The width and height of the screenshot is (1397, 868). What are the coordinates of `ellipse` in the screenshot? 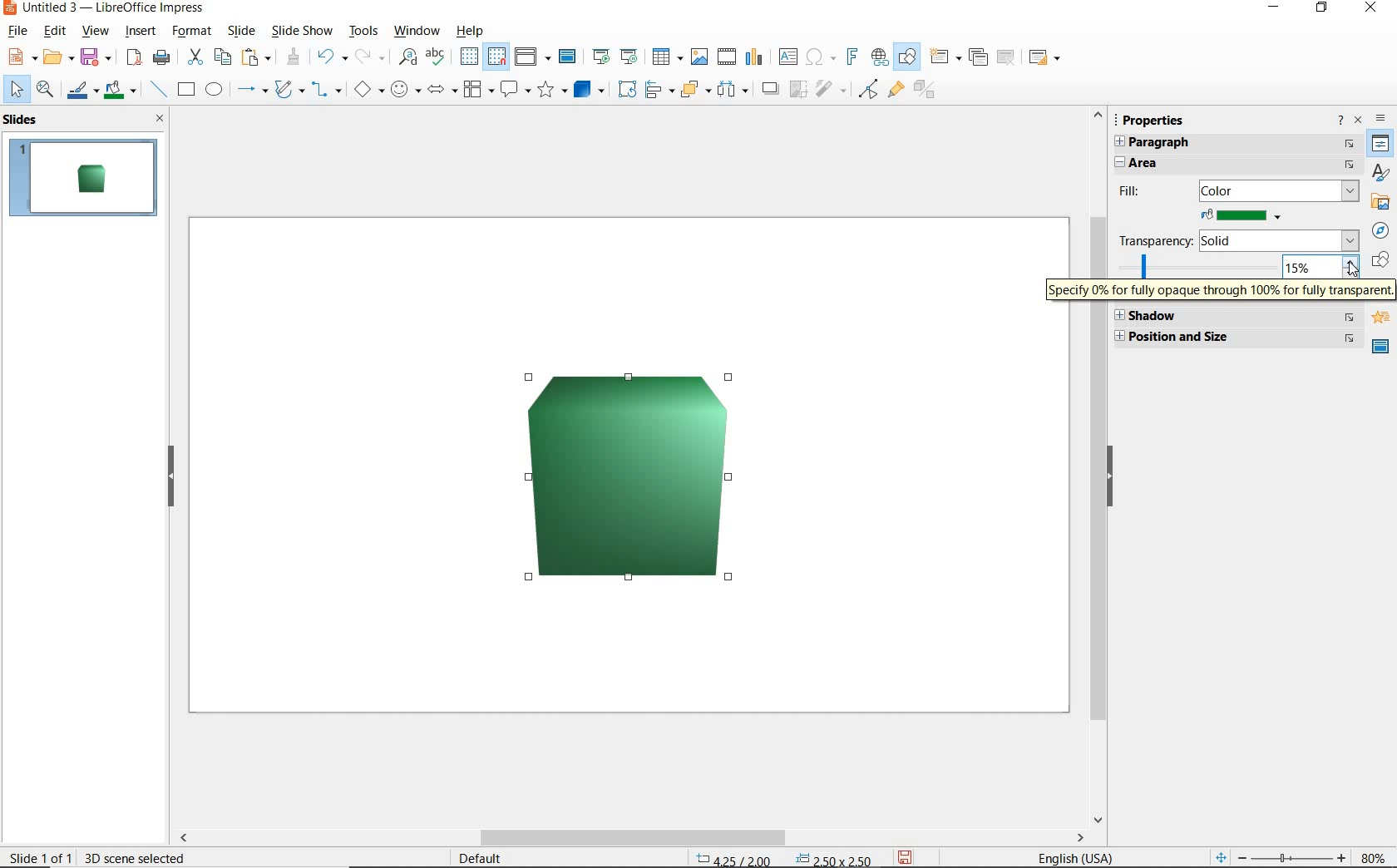 It's located at (214, 90).